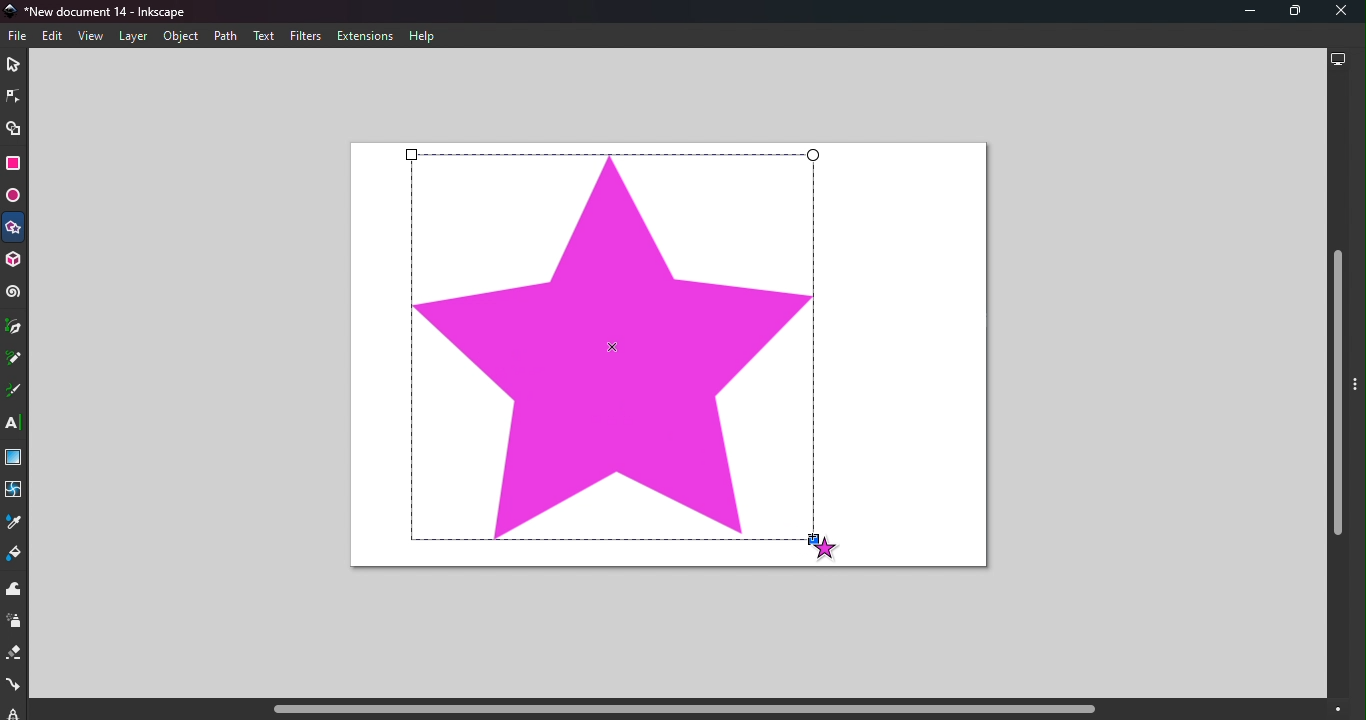 The height and width of the screenshot is (720, 1366). What do you see at coordinates (223, 35) in the screenshot?
I see `Path` at bounding box center [223, 35].